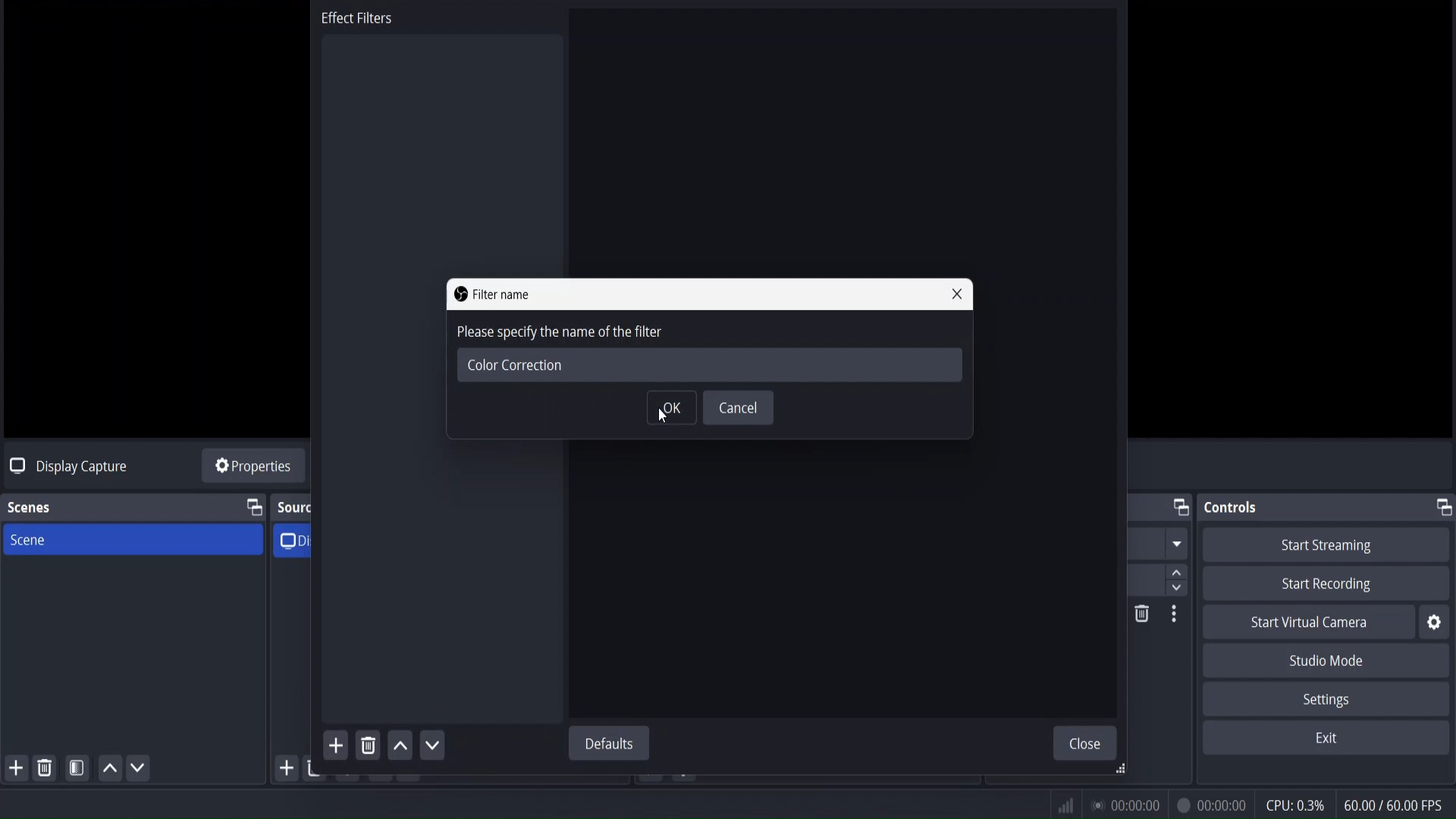  Describe the element at coordinates (1442, 507) in the screenshot. I see `change tab layout` at that location.